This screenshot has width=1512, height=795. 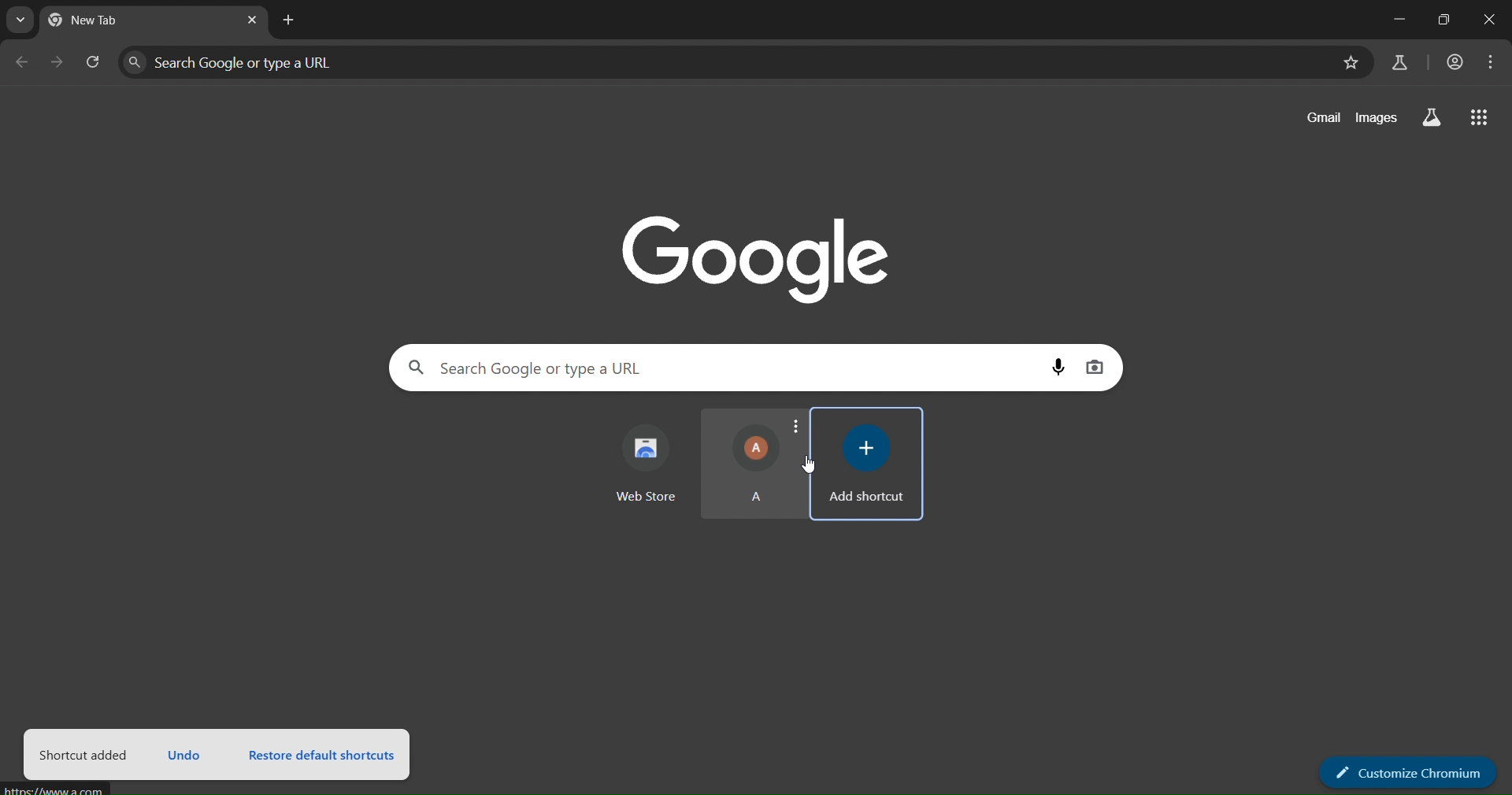 What do you see at coordinates (726, 62) in the screenshot?
I see `search google or type a URL` at bounding box center [726, 62].